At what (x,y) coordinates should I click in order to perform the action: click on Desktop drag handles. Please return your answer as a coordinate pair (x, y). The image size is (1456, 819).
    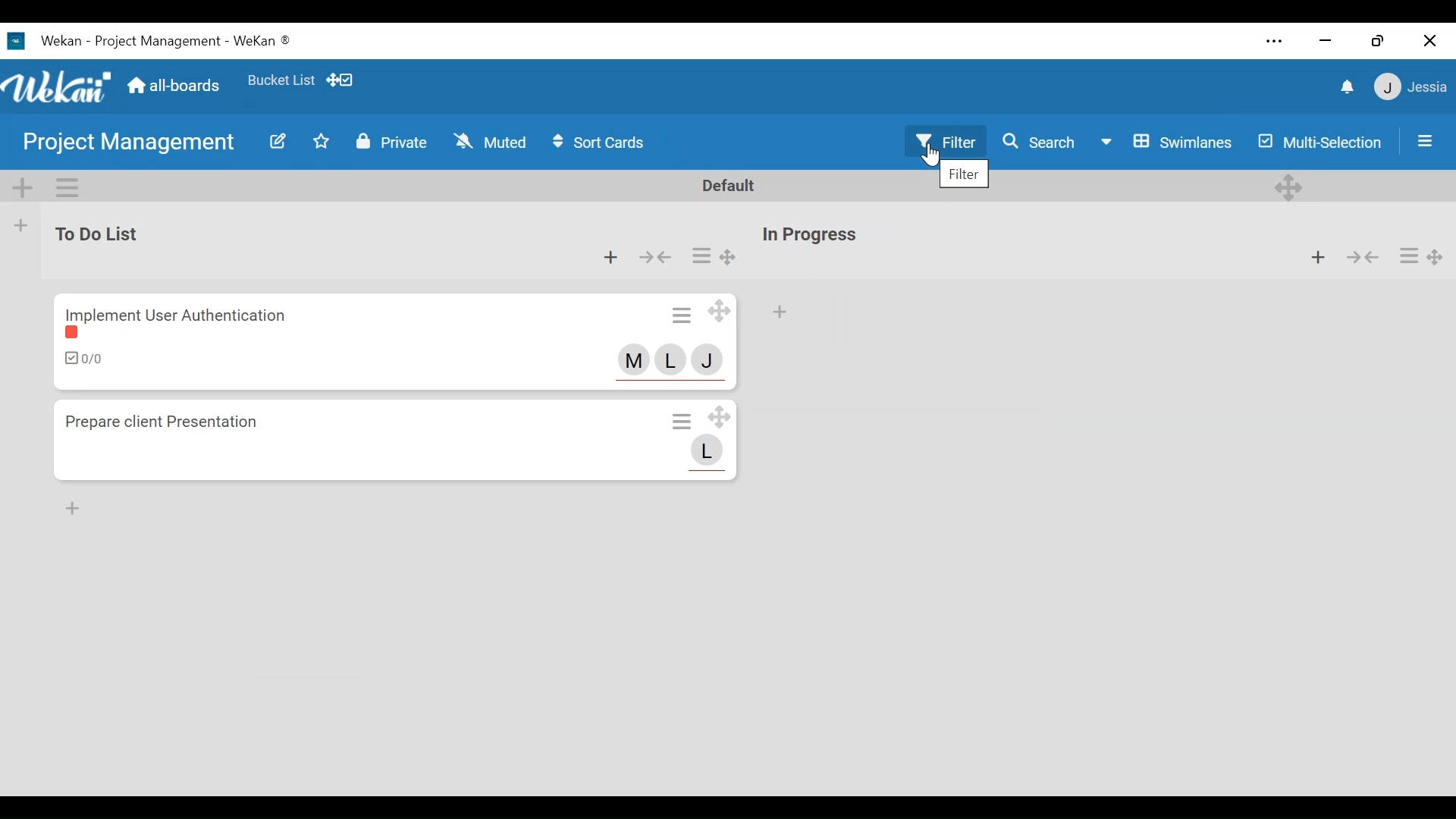
    Looking at the image, I should click on (1291, 186).